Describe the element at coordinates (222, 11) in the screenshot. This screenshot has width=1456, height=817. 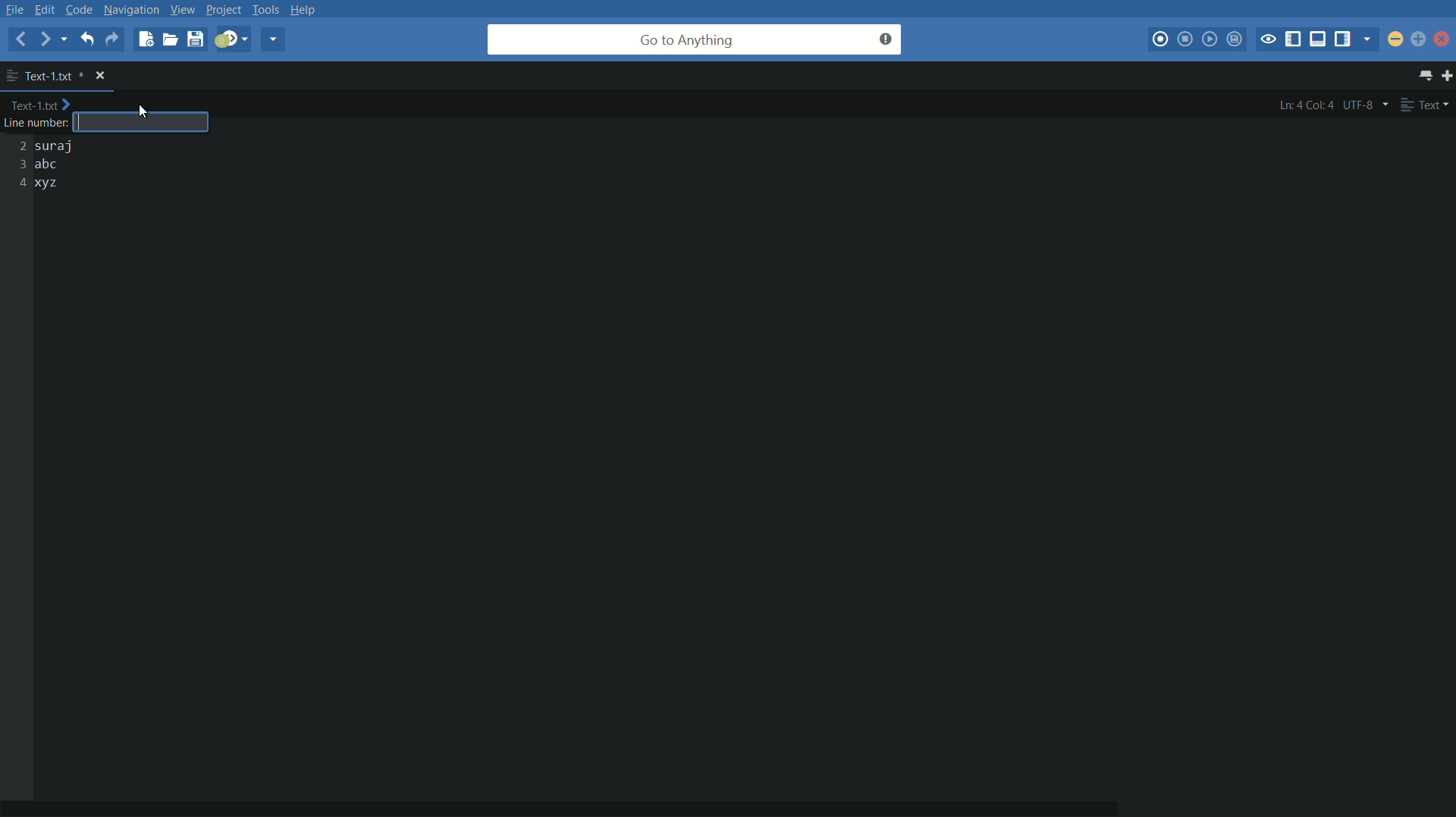
I see `project ` at that location.